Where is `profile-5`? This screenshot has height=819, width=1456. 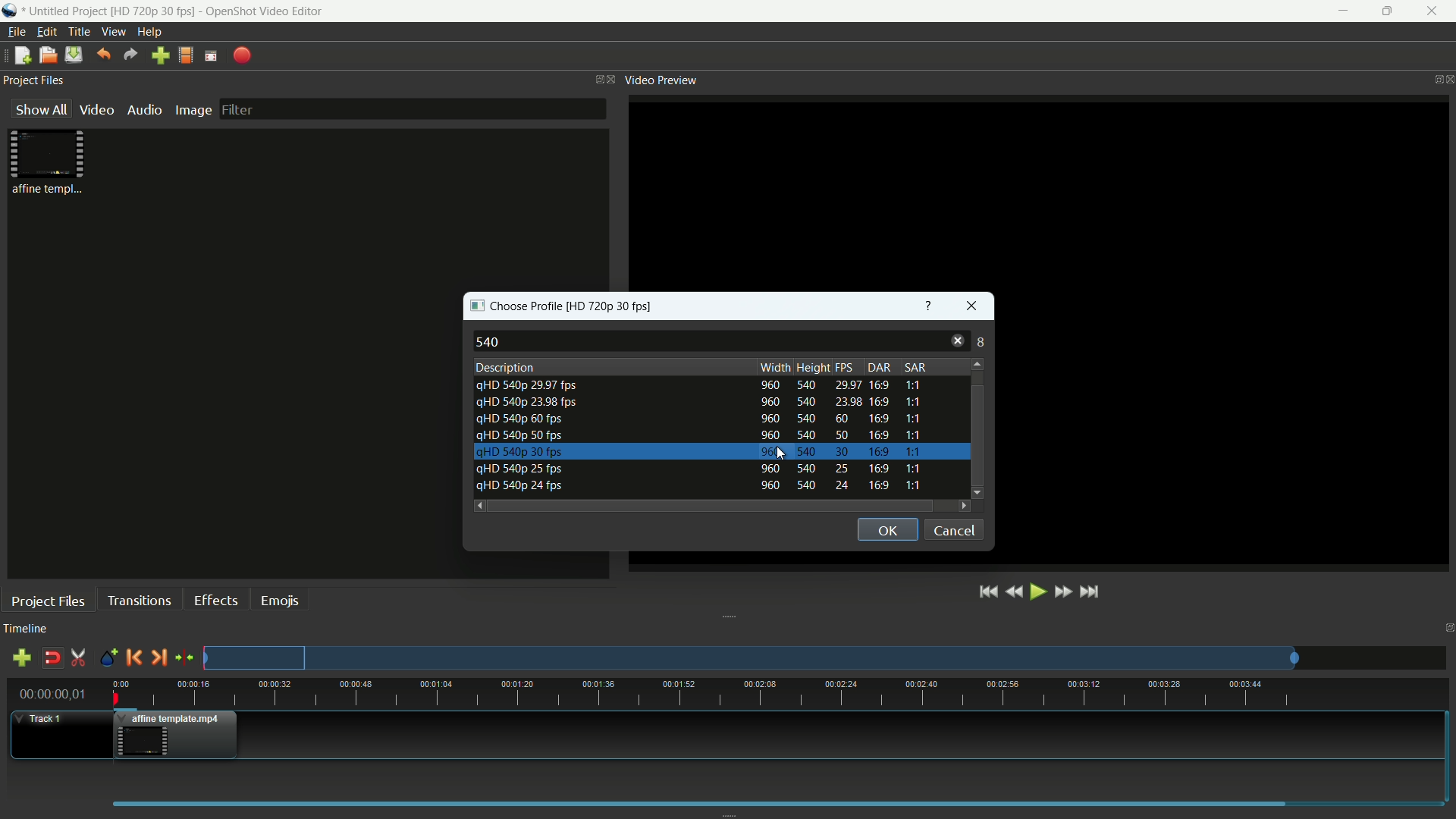
profile-5 is located at coordinates (703, 451).